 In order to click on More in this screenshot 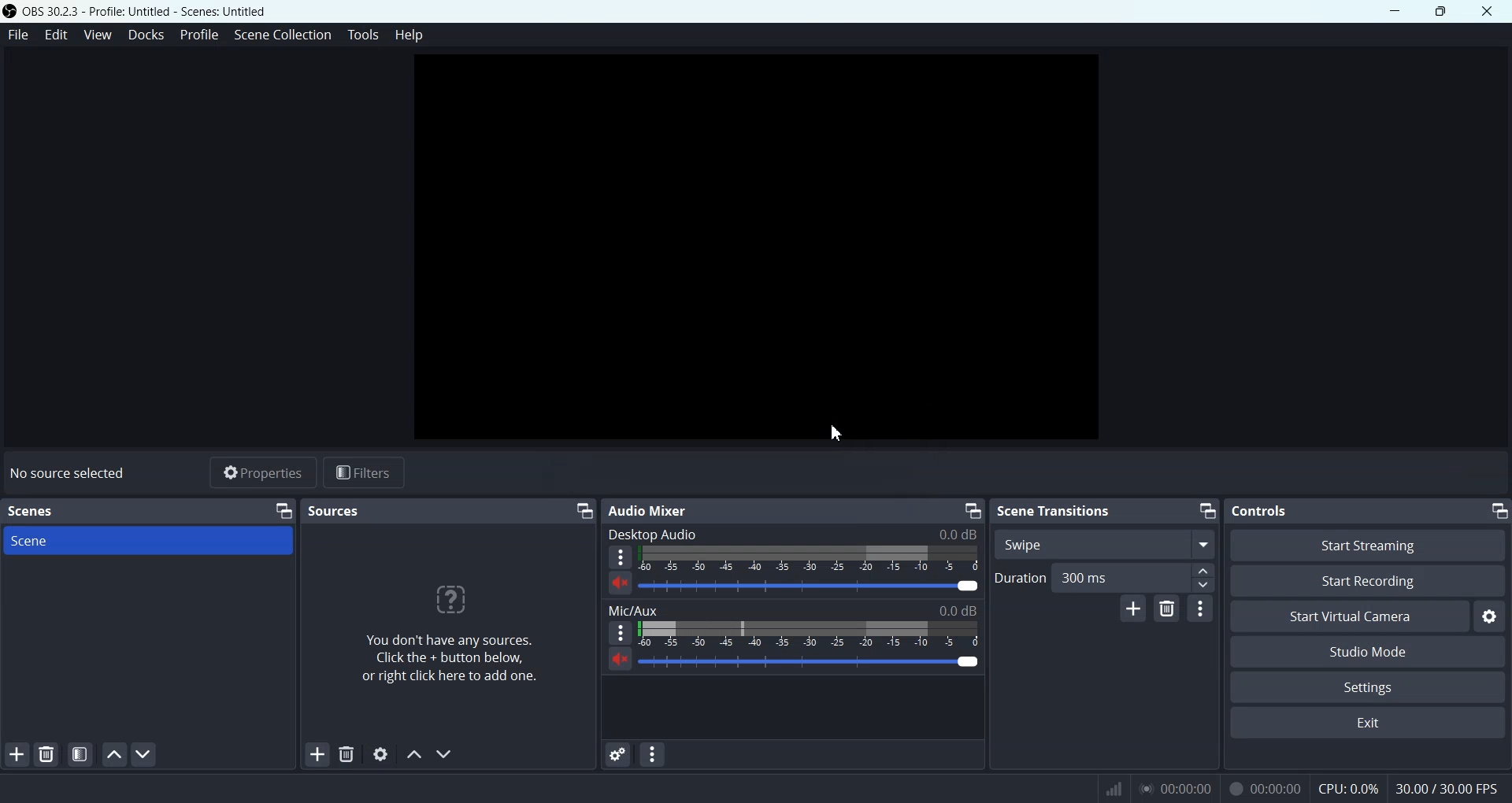, I will do `click(621, 557)`.